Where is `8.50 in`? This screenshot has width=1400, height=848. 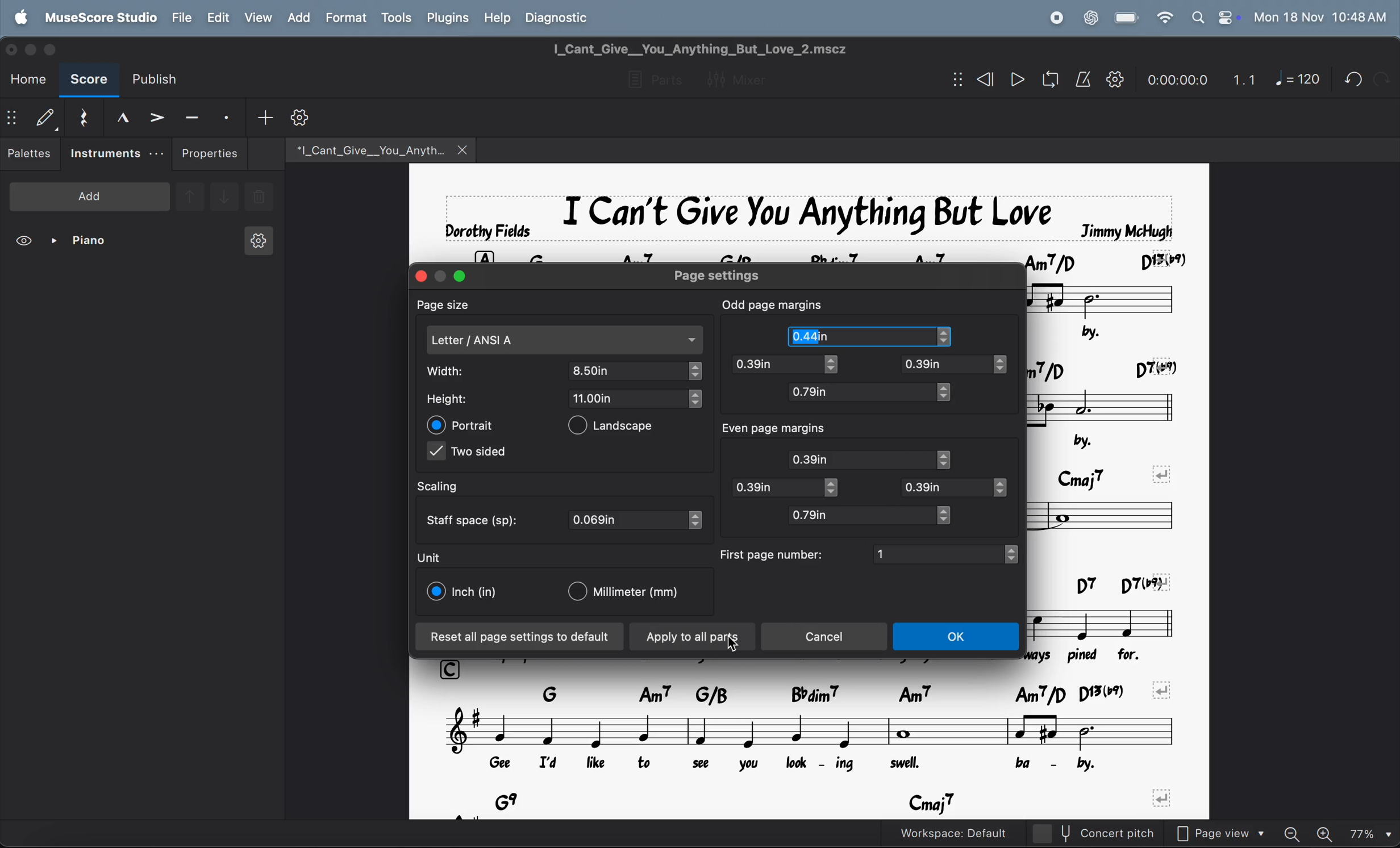 8.50 in is located at coordinates (628, 370).